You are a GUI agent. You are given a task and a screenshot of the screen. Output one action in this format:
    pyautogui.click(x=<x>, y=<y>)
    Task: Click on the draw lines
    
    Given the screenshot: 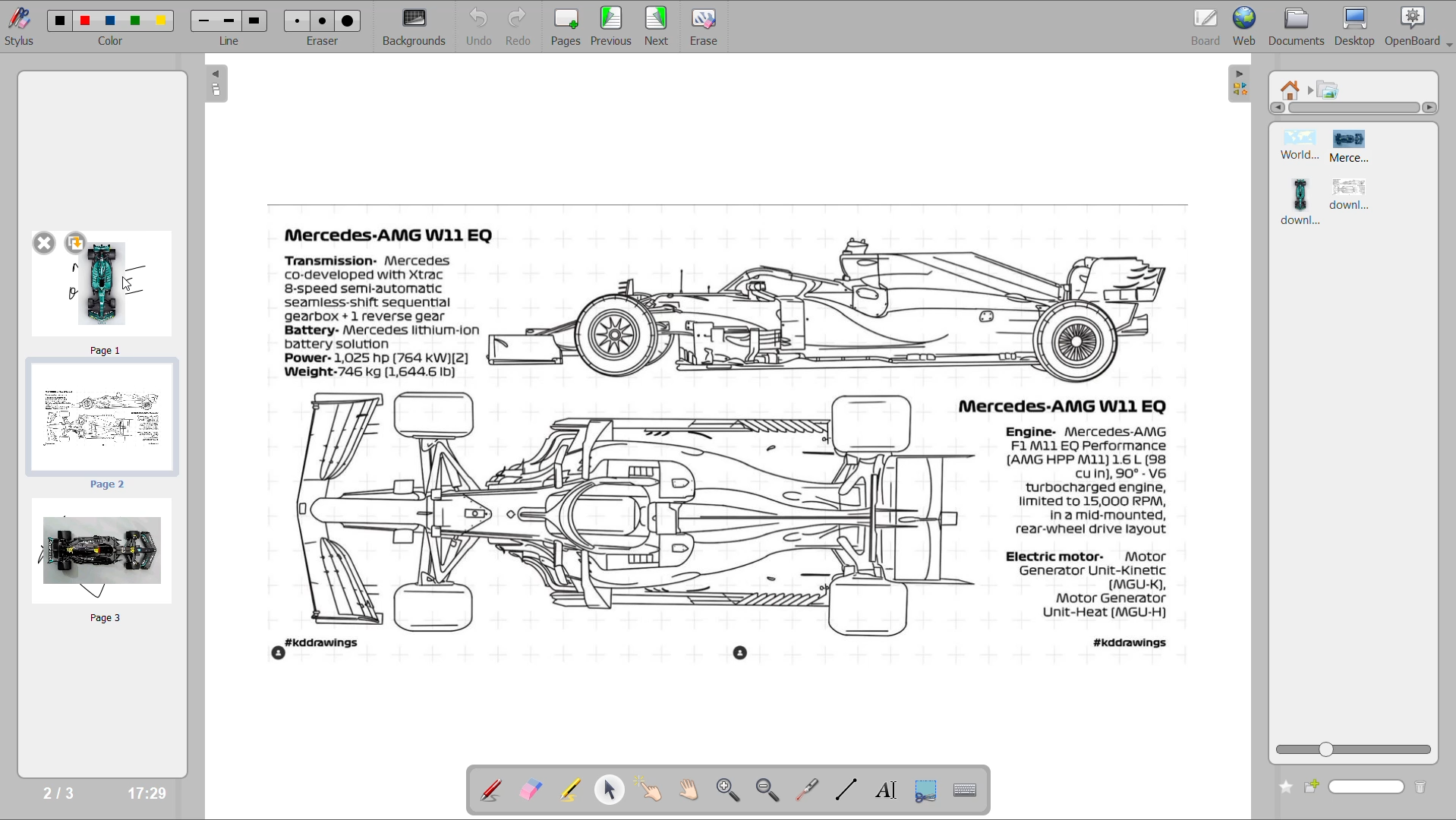 What is the action you would take?
    pyautogui.click(x=846, y=789)
    